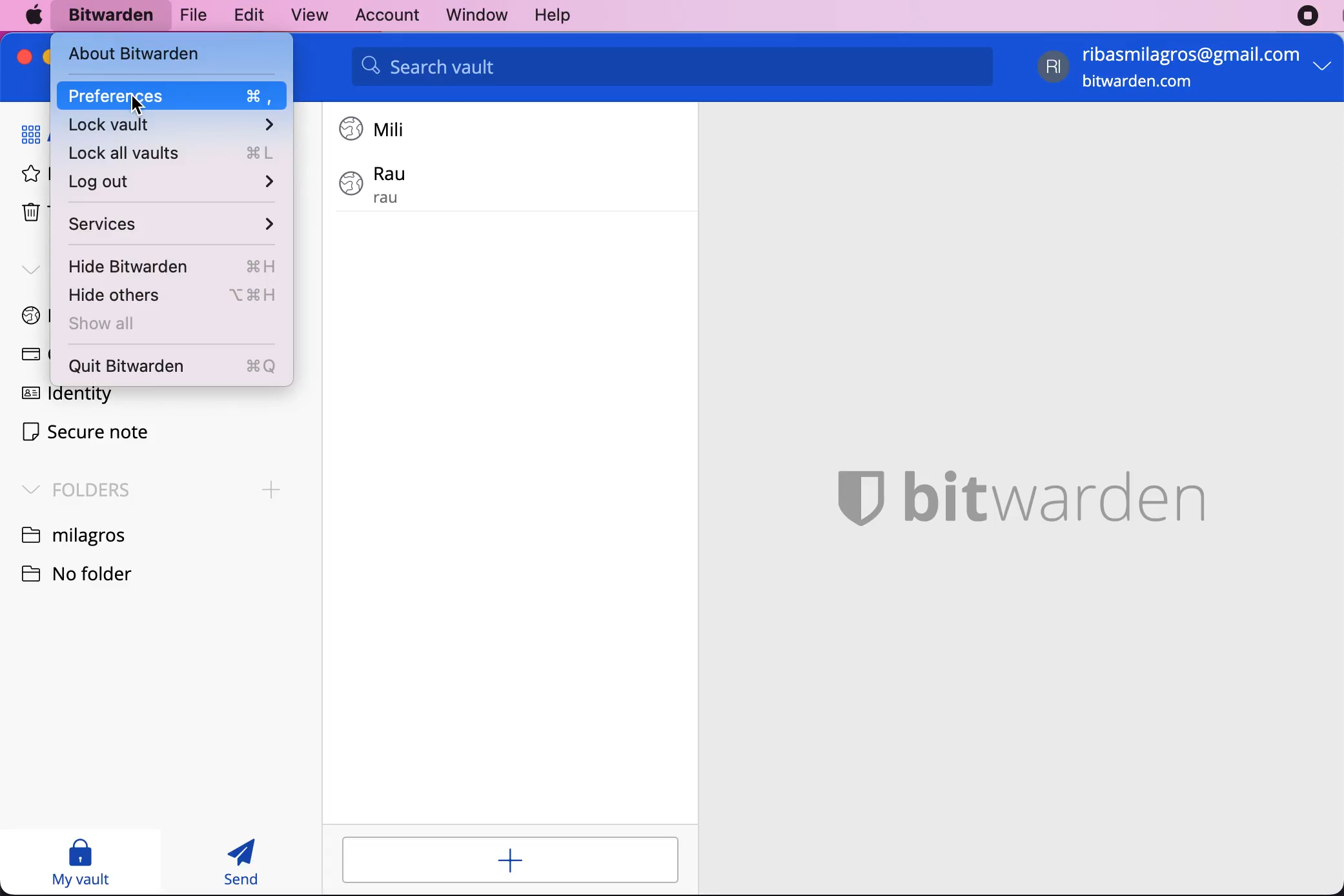 This screenshot has width=1344, height=896. I want to click on card, so click(27, 356).